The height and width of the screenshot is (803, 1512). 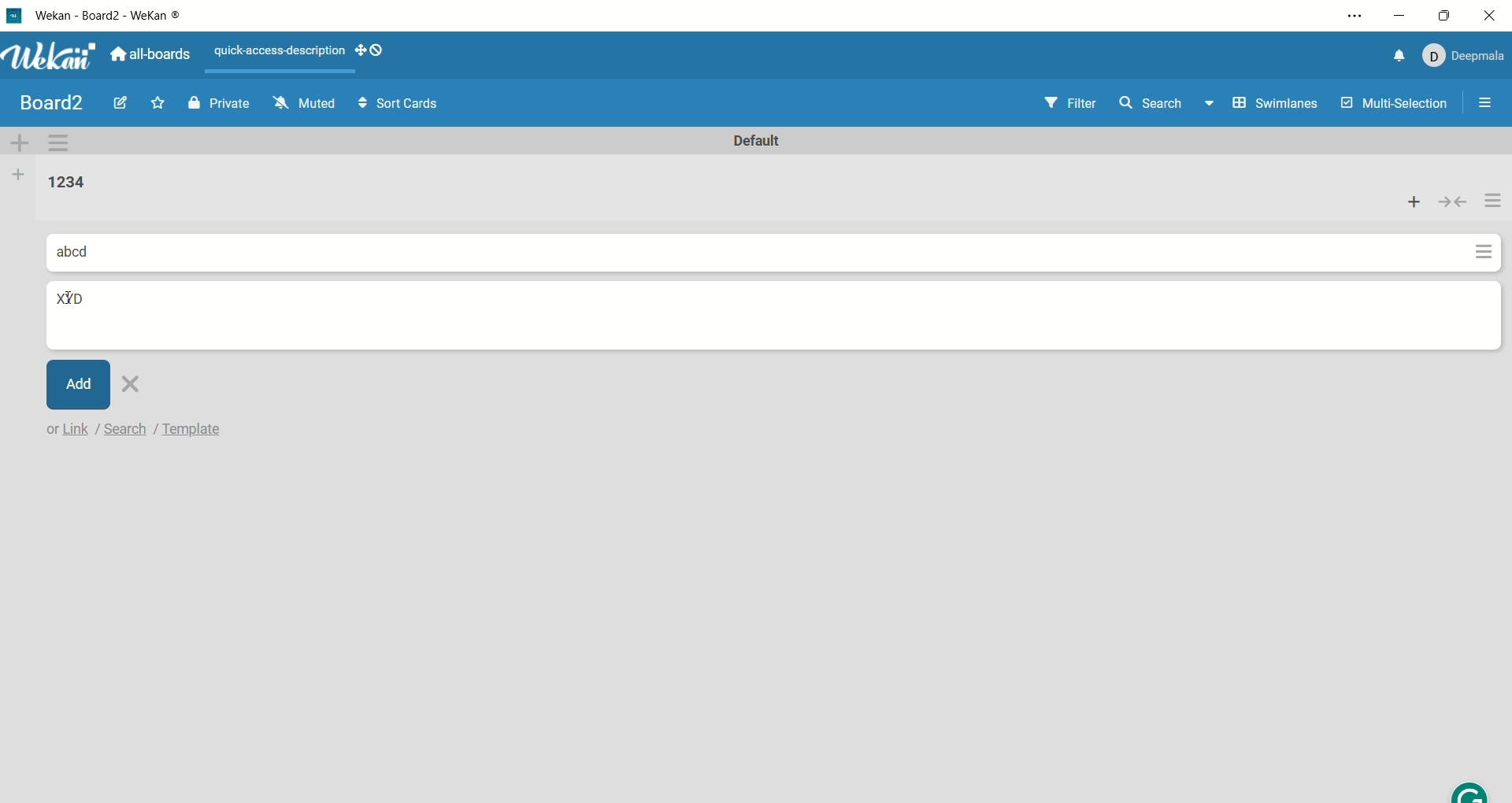 I want to click on logo, so click(x=17, y=13).